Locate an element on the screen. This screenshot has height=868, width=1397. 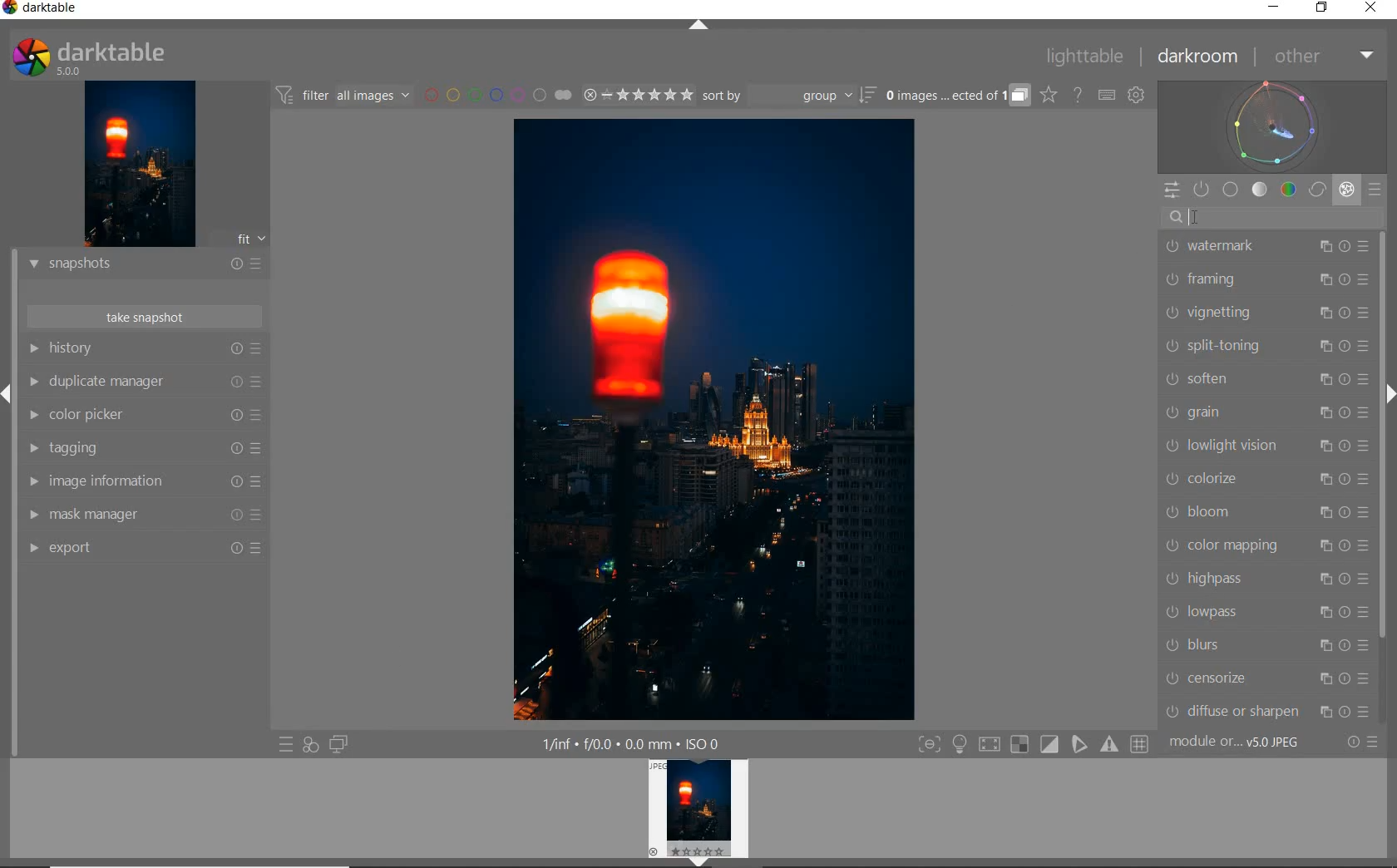
BASE is located at coordinates (1232, 190).